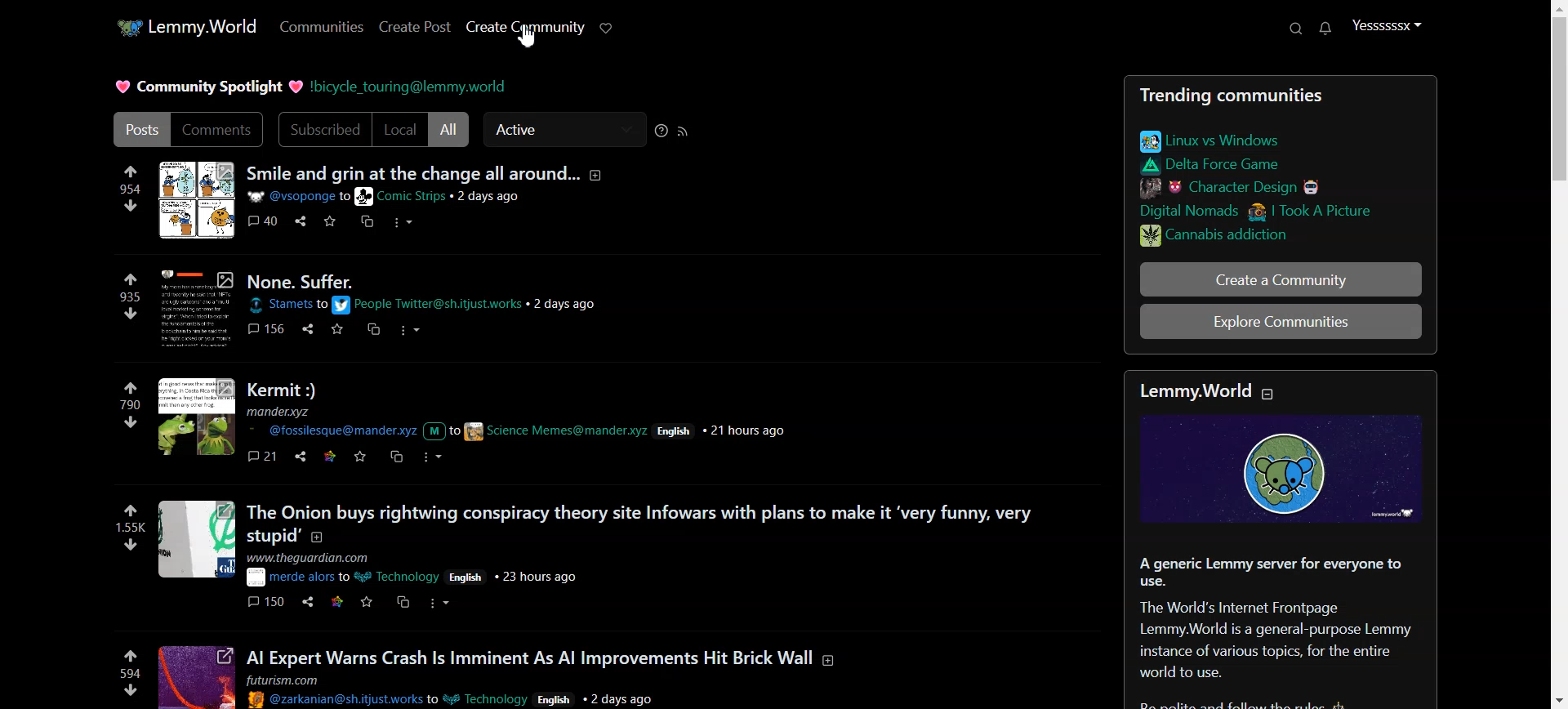 This screenshot has width=1568, height=709. I want to click on upvote, so click(131, 279).